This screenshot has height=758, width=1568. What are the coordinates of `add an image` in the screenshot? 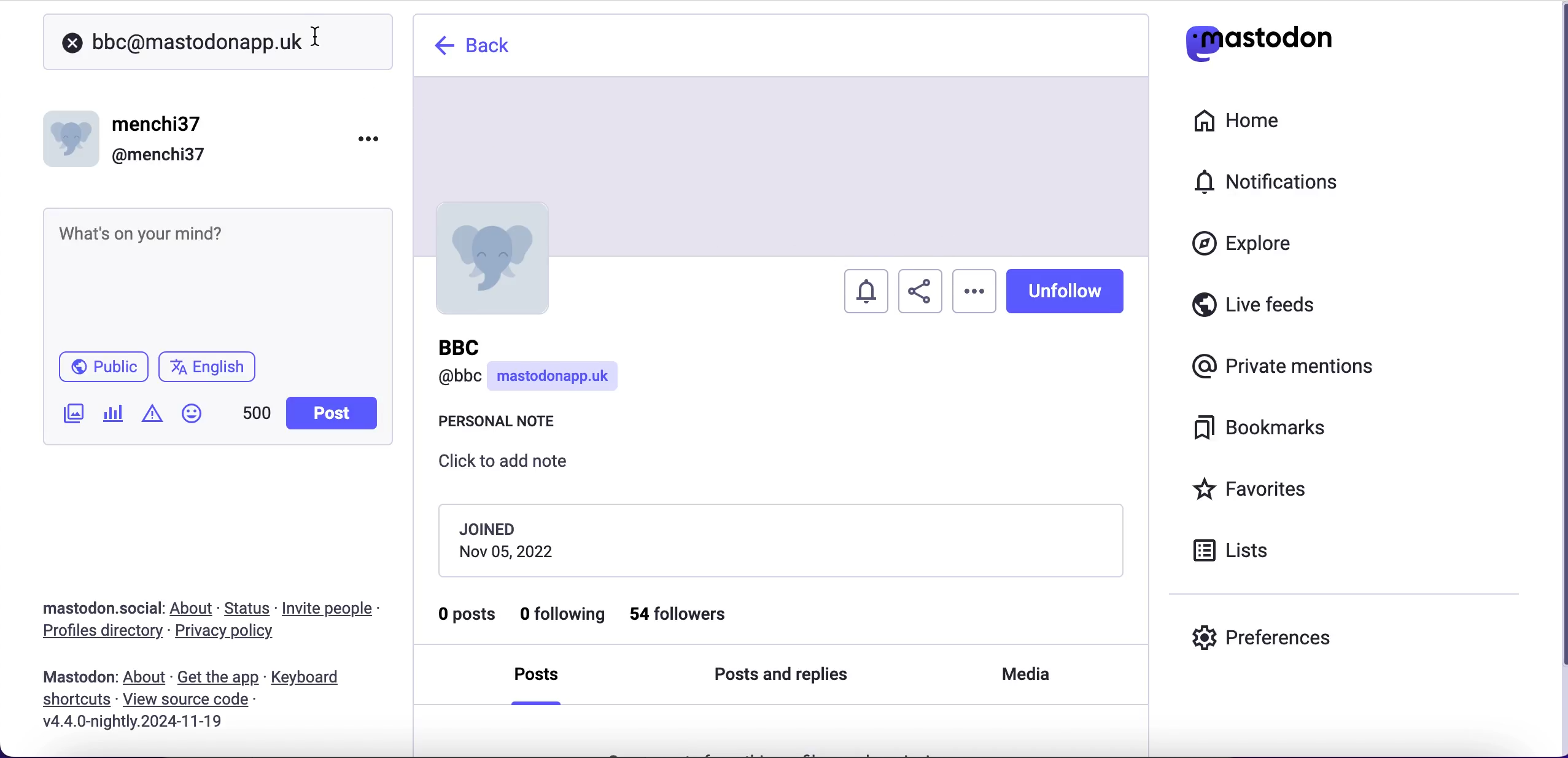 It's located at (72, 413).